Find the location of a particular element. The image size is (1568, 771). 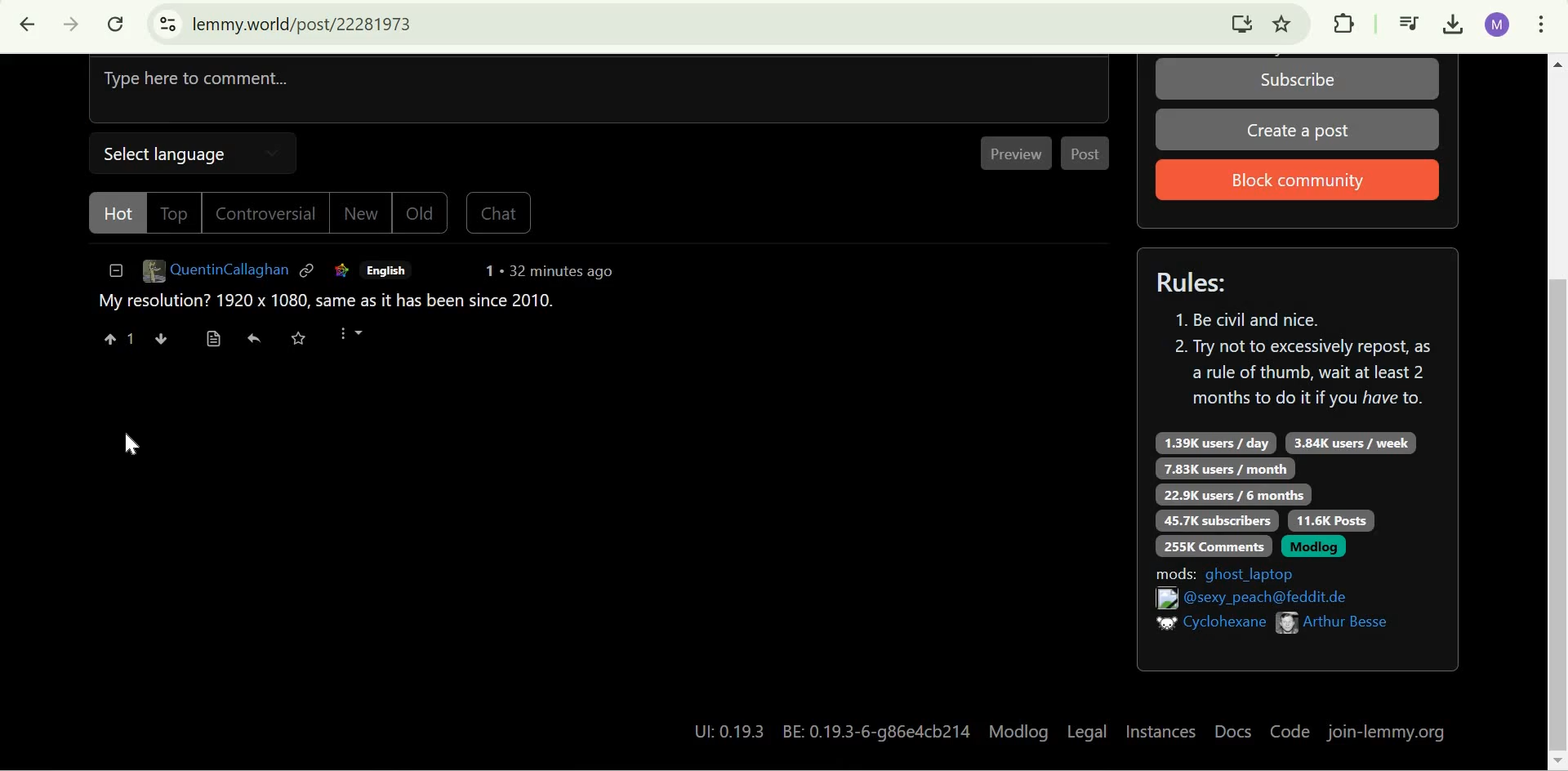

Chat is located at coordinates (503, 213).